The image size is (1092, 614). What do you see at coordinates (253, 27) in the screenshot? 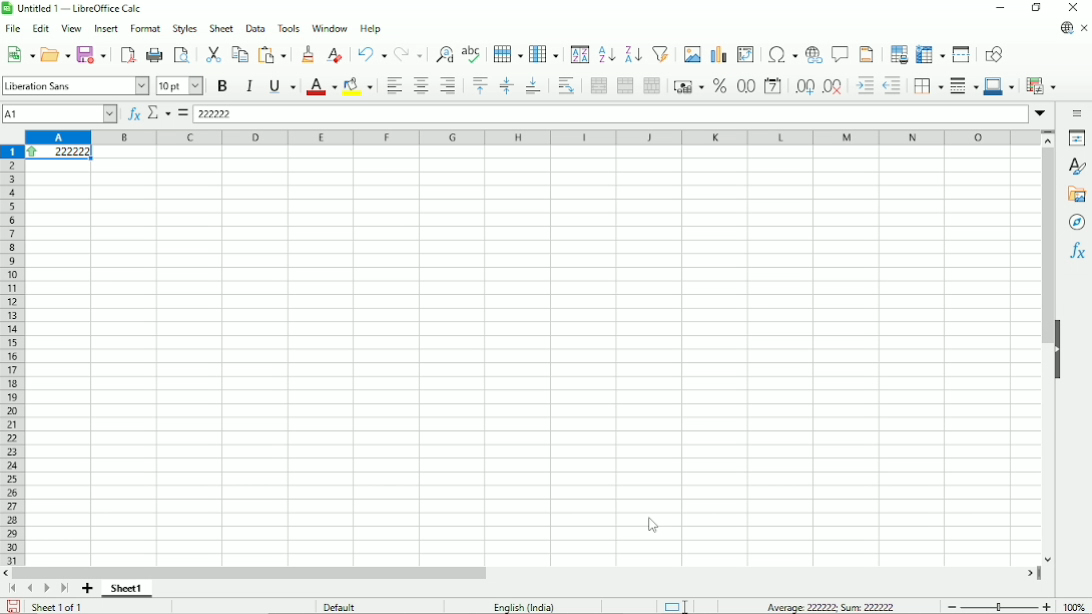
I see `Data` at bounding box center [253, 27].